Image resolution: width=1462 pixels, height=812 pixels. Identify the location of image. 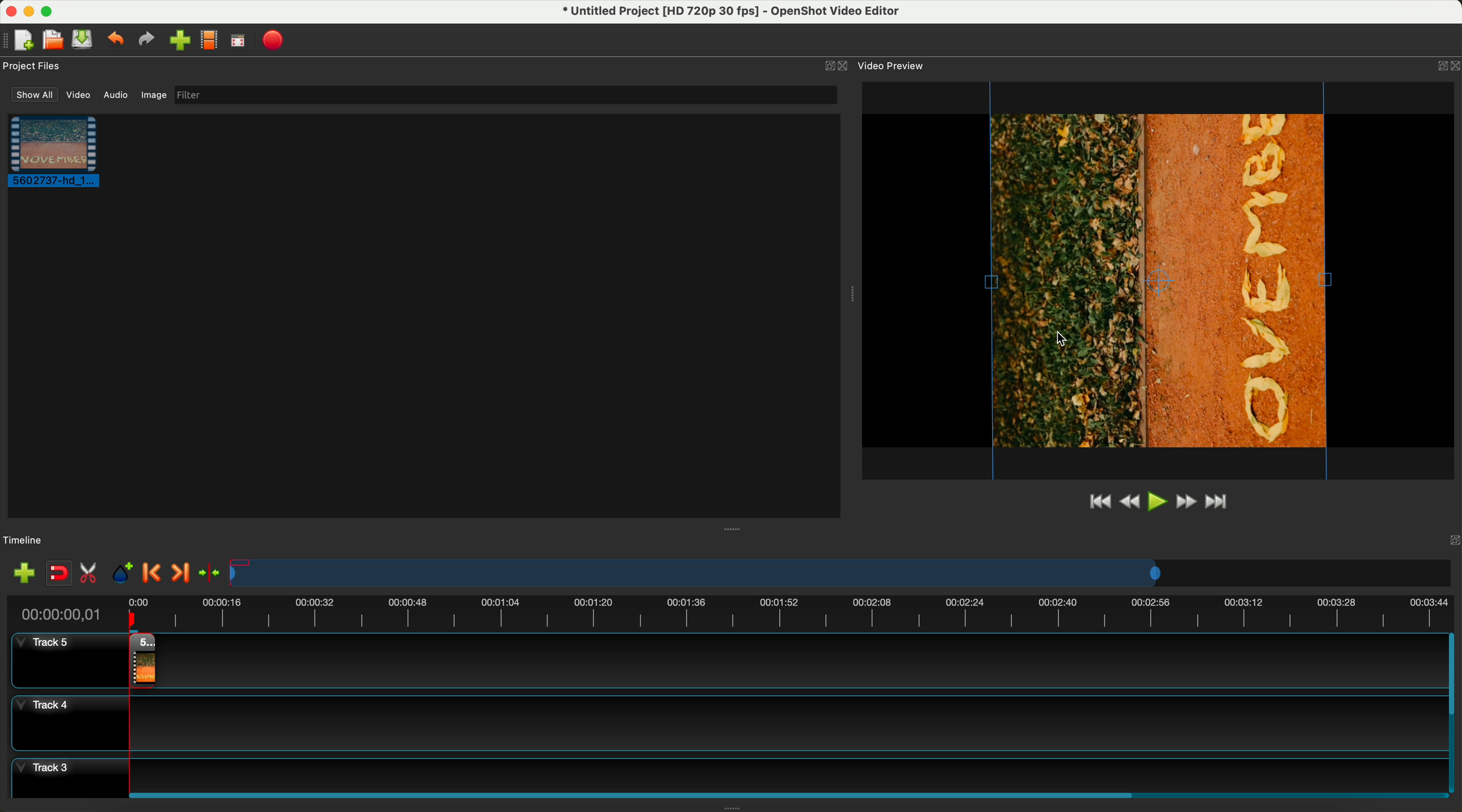
(154, 95).